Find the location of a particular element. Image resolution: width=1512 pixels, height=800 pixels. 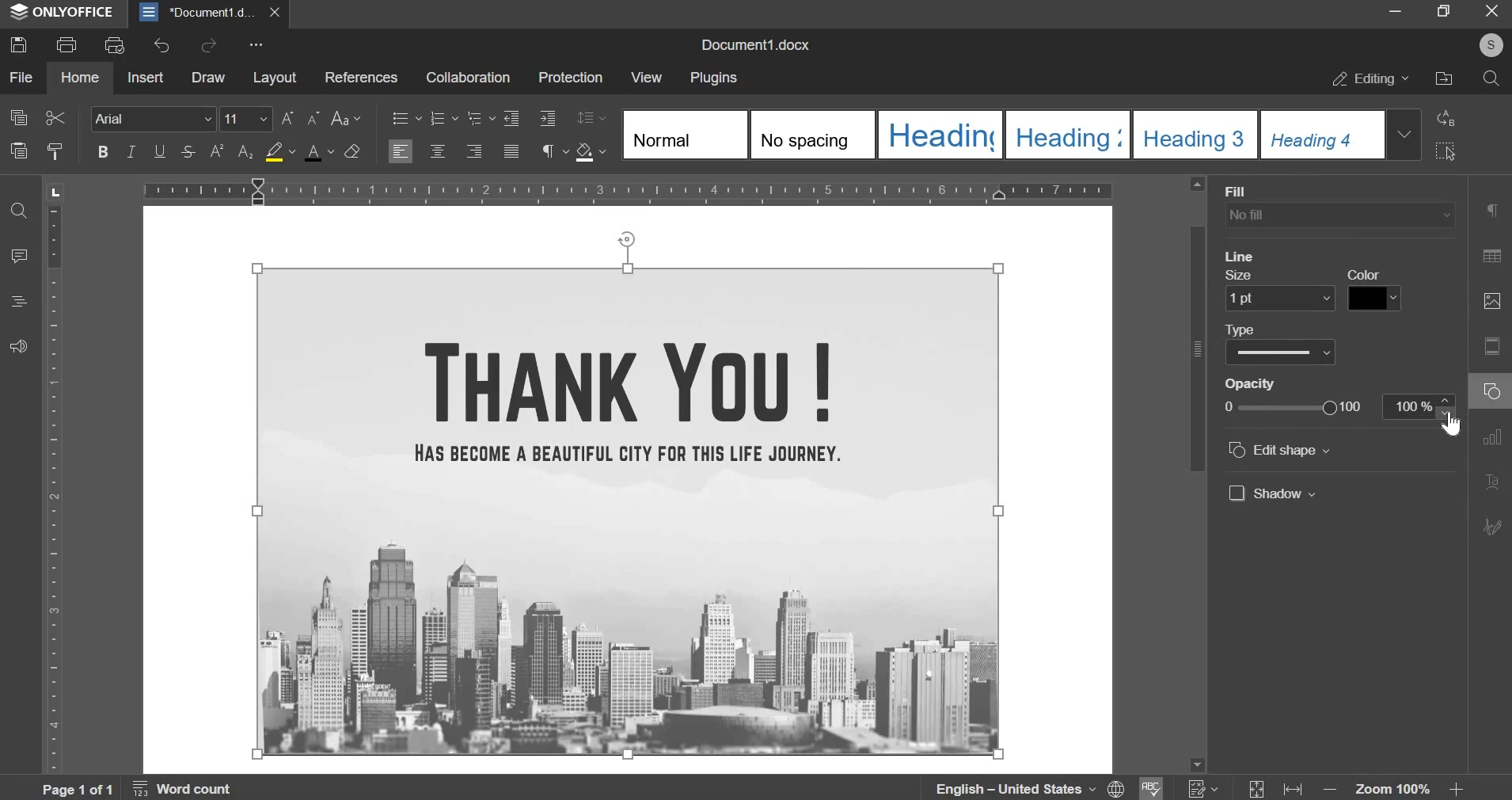

align right is located at coordinates (476, 149).